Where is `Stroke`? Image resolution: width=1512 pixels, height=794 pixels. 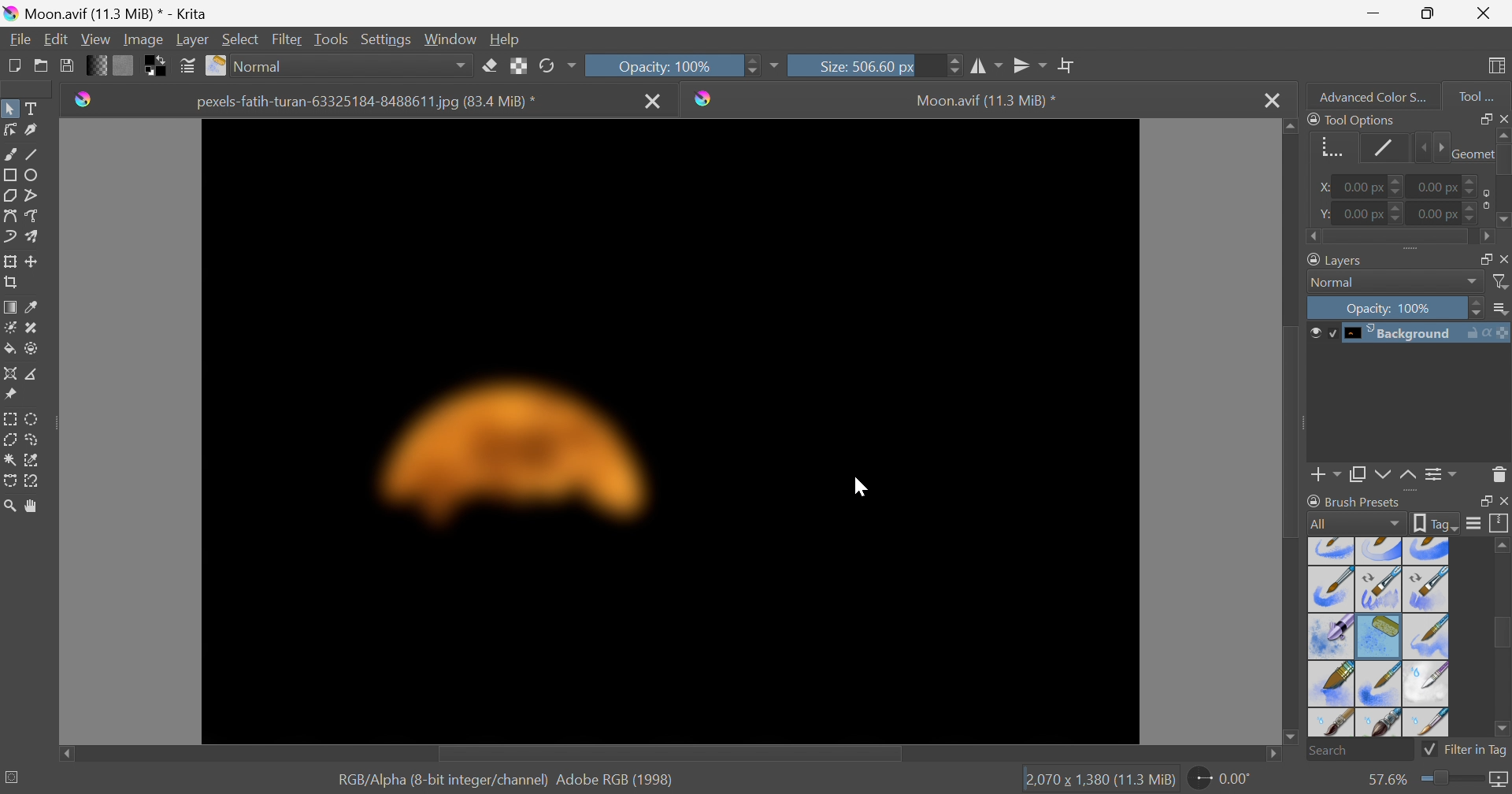
Stroke is located at coordinates (1380, 149).